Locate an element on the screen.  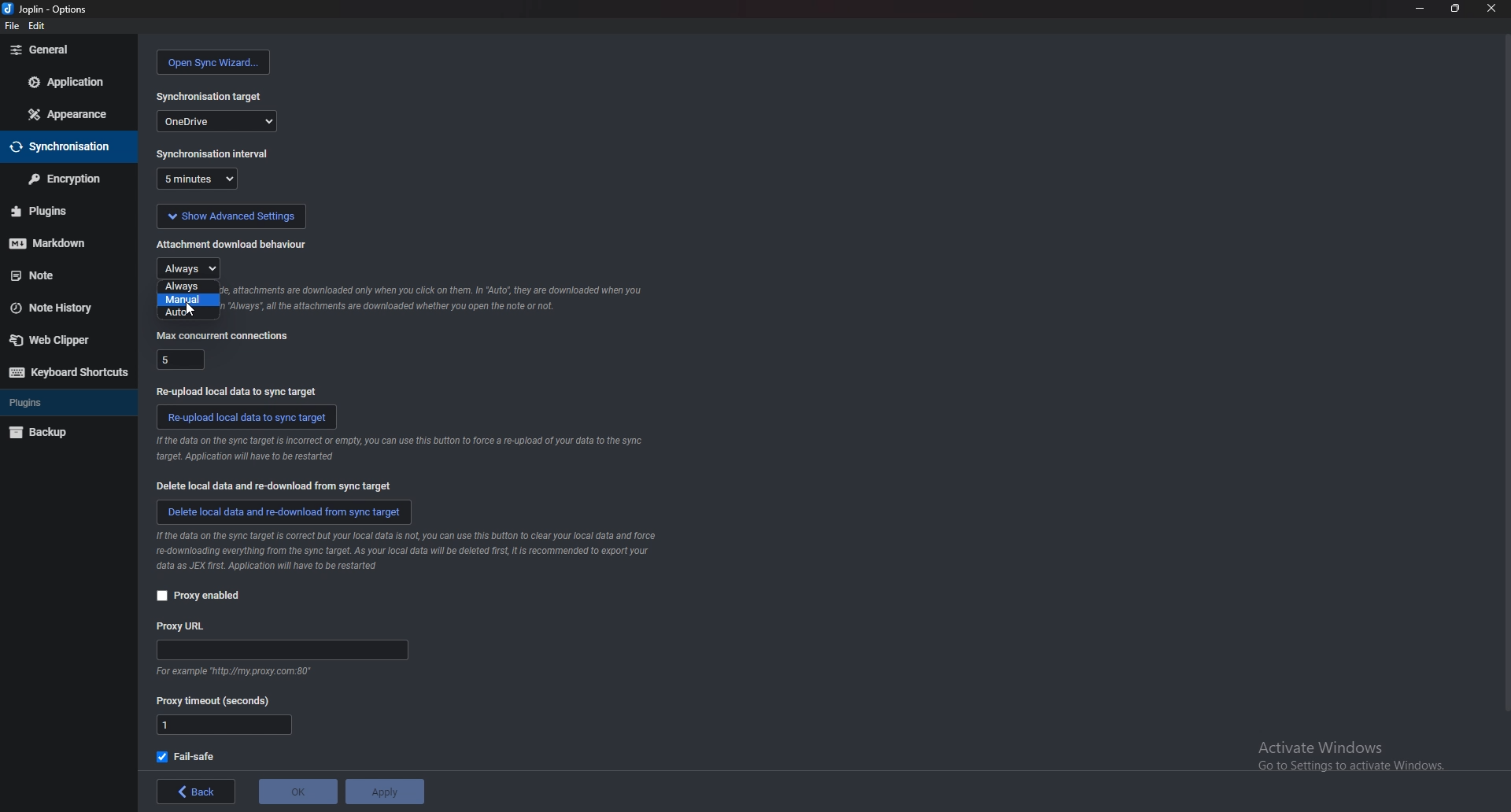
1 is located at coordinates (224, 725).